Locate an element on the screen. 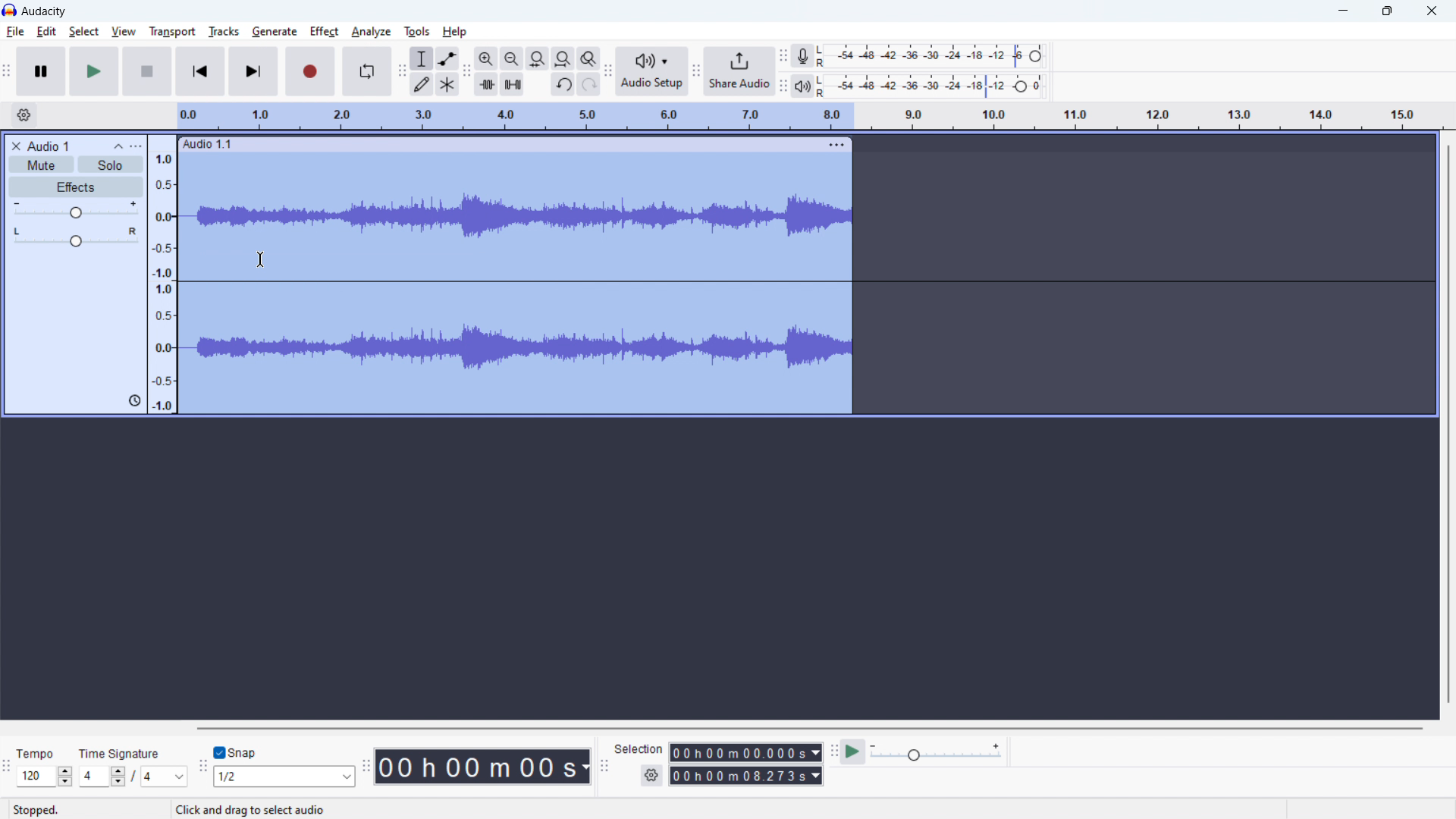 The image size is (1456, 819). mute is located at coordinates (41, 164).